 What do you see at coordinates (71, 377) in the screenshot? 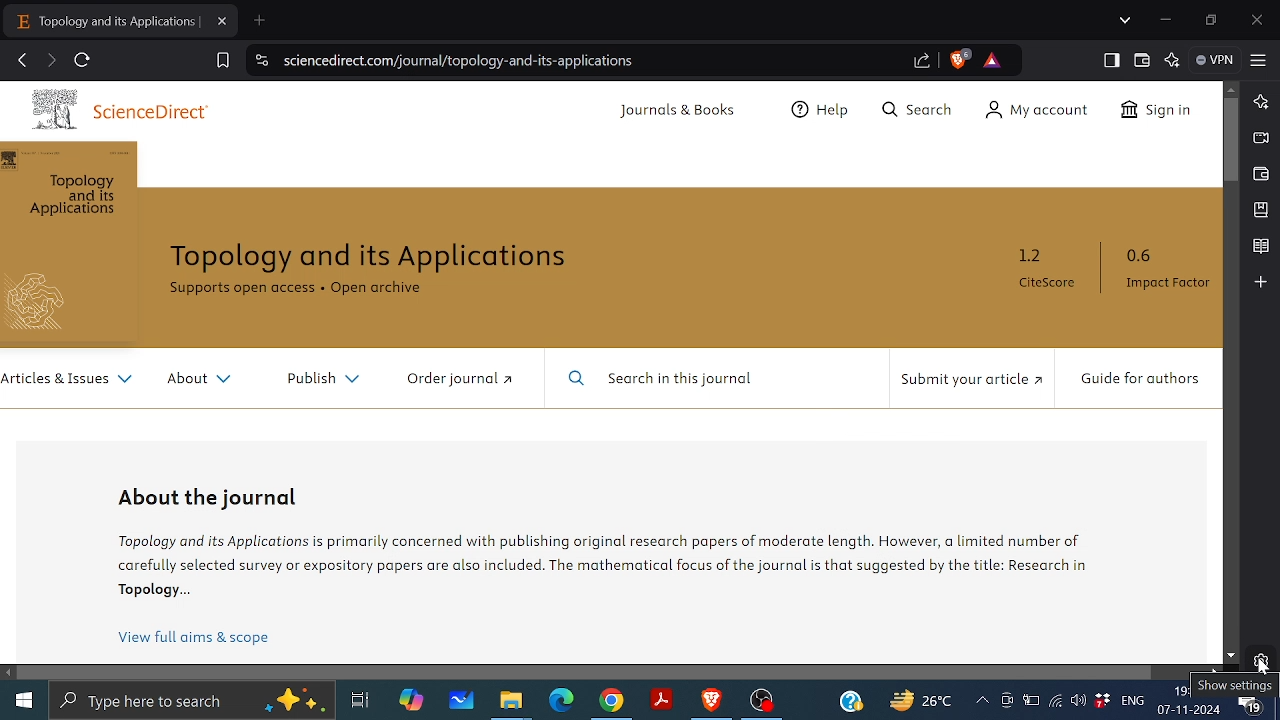
I see `Articles & Issues` at bounding box center [71, 377].